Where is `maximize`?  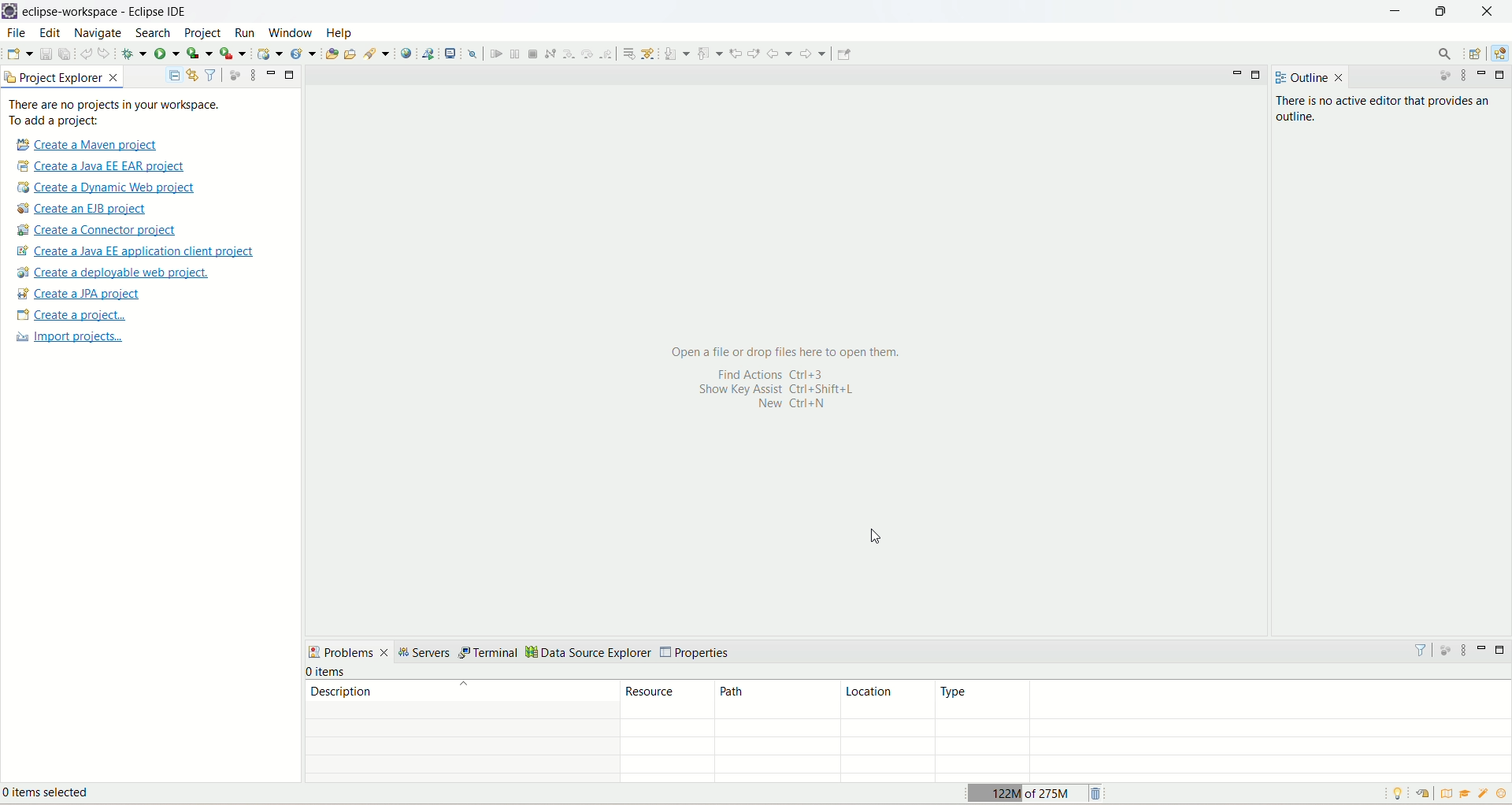 maximize is located at coordinates (1503, 650).